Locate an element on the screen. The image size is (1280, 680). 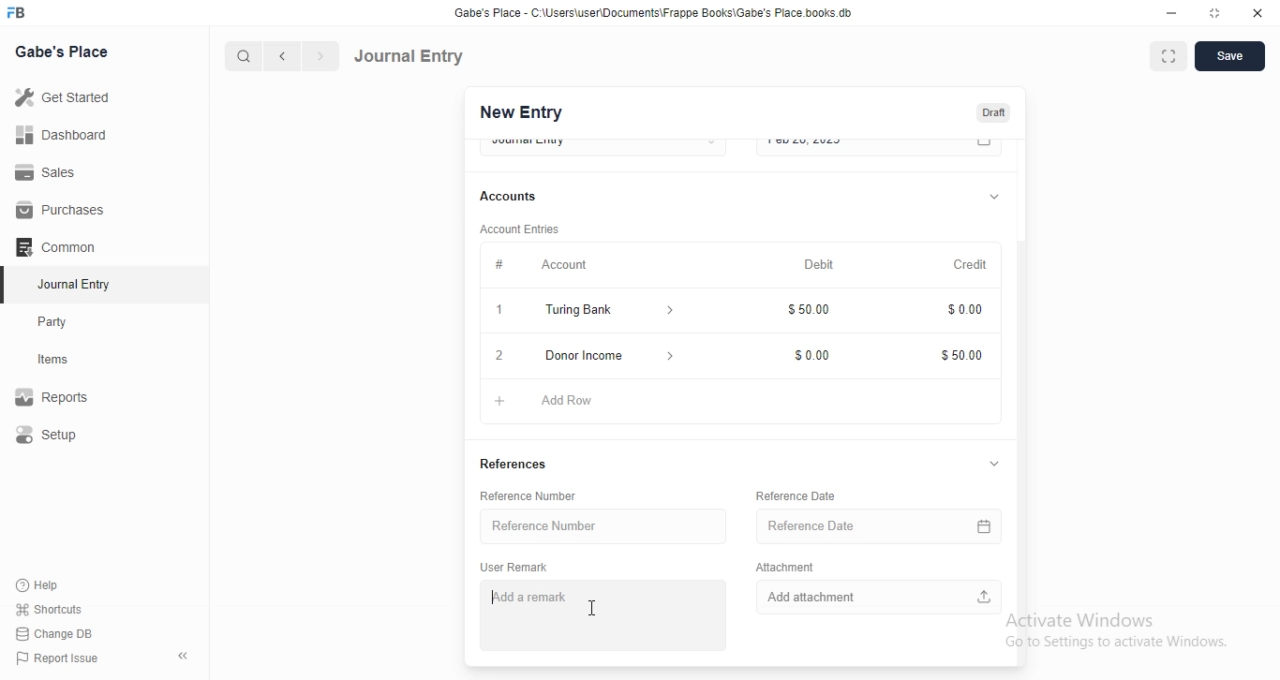
cursor is located at coordinates (592, 608).